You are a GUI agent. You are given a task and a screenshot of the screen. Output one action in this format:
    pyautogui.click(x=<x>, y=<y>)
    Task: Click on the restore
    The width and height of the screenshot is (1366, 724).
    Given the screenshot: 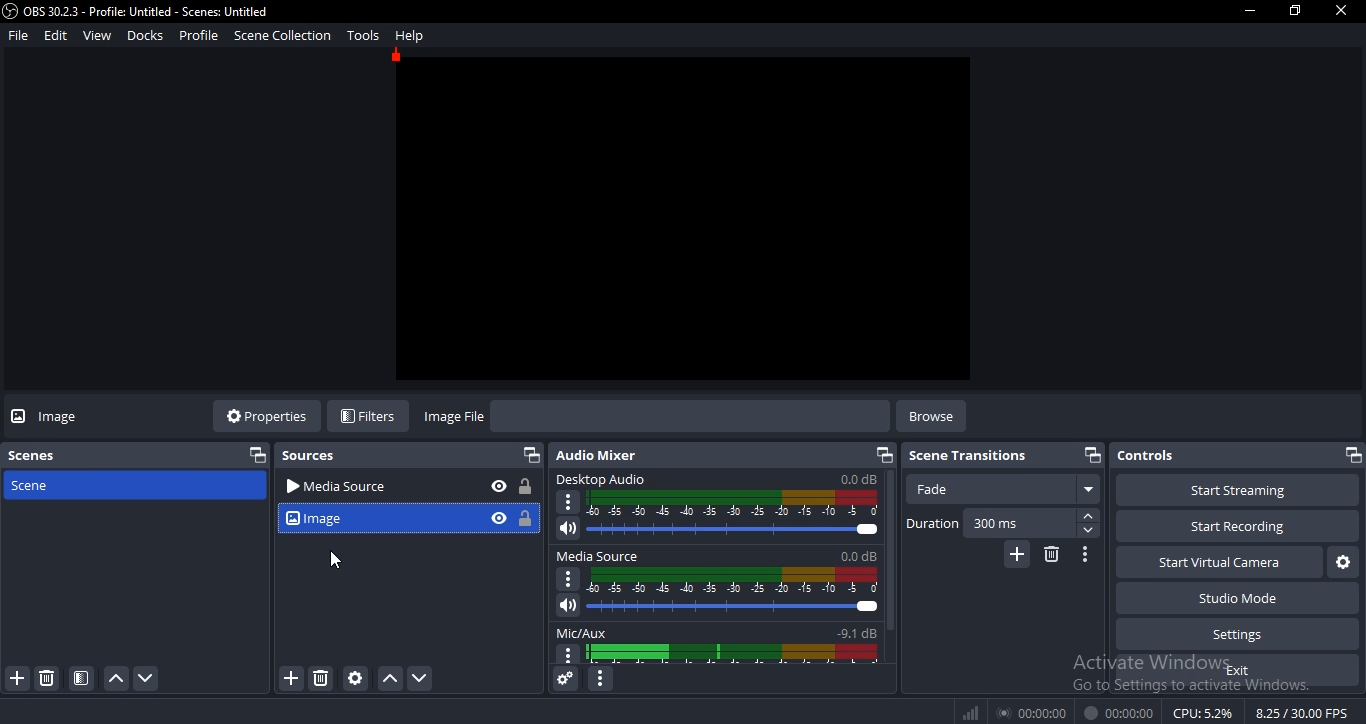 What is the action you would take?
    pyautogui.click(x=1355, y=454)
    